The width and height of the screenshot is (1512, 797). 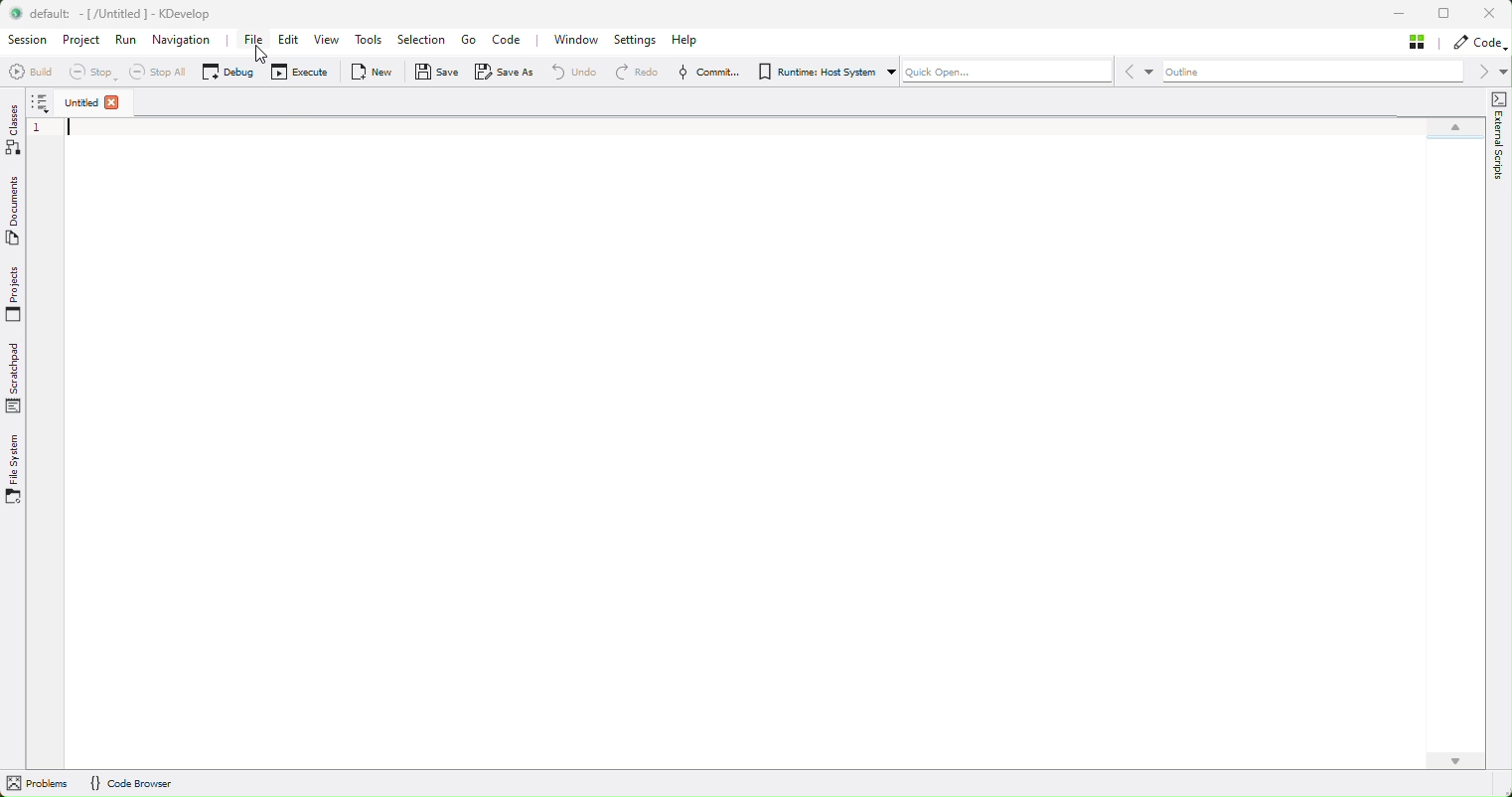 What do you see at coordinates (1494, 14) in the screenshot?
I see `close` at bounding box center [1494, 14].